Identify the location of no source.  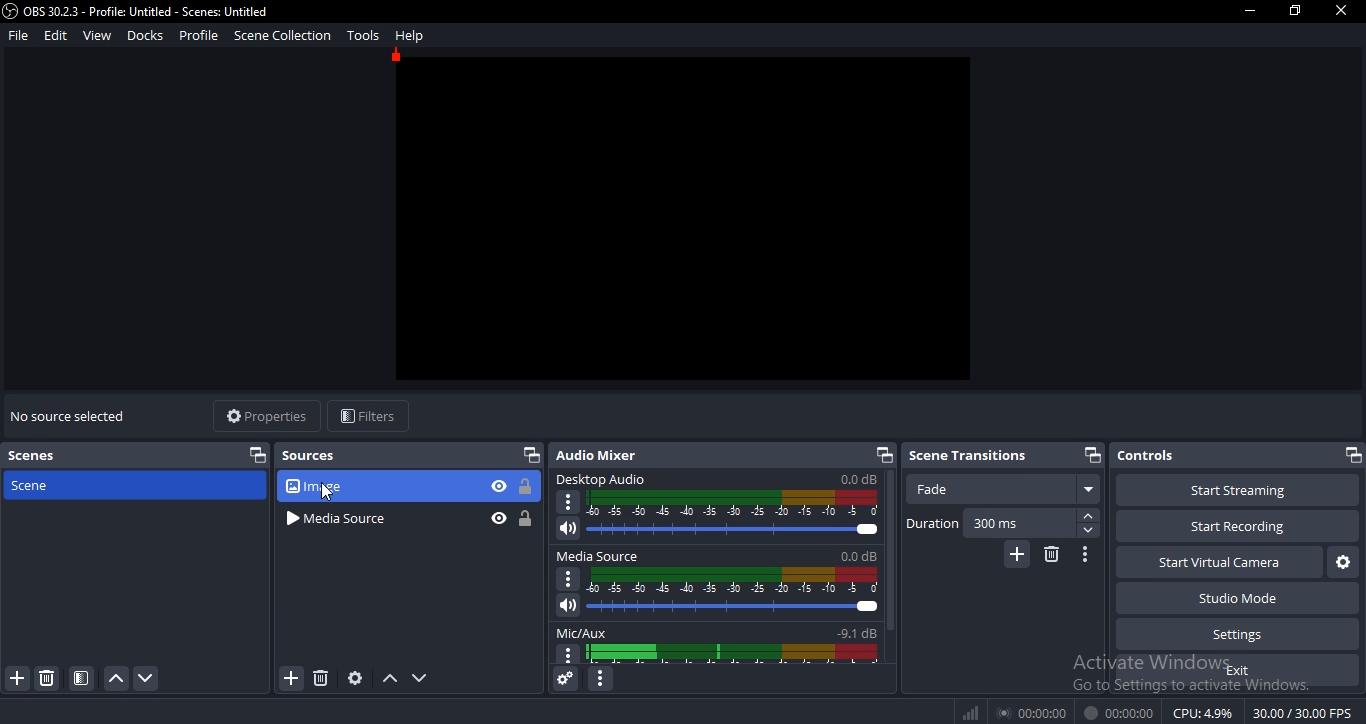
(66, 417).